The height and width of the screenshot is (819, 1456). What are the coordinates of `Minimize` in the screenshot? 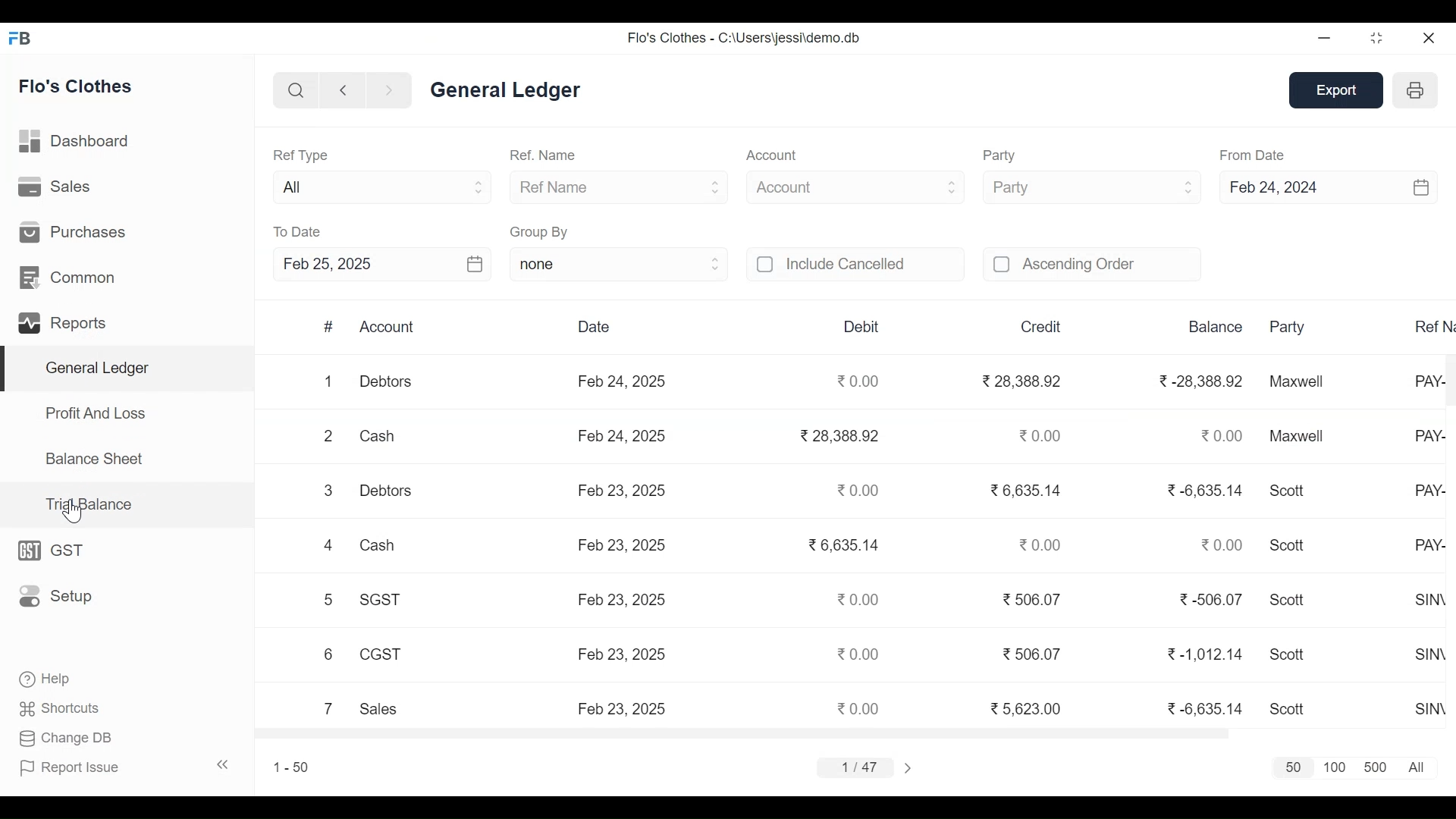 It's located at (1326, 38).